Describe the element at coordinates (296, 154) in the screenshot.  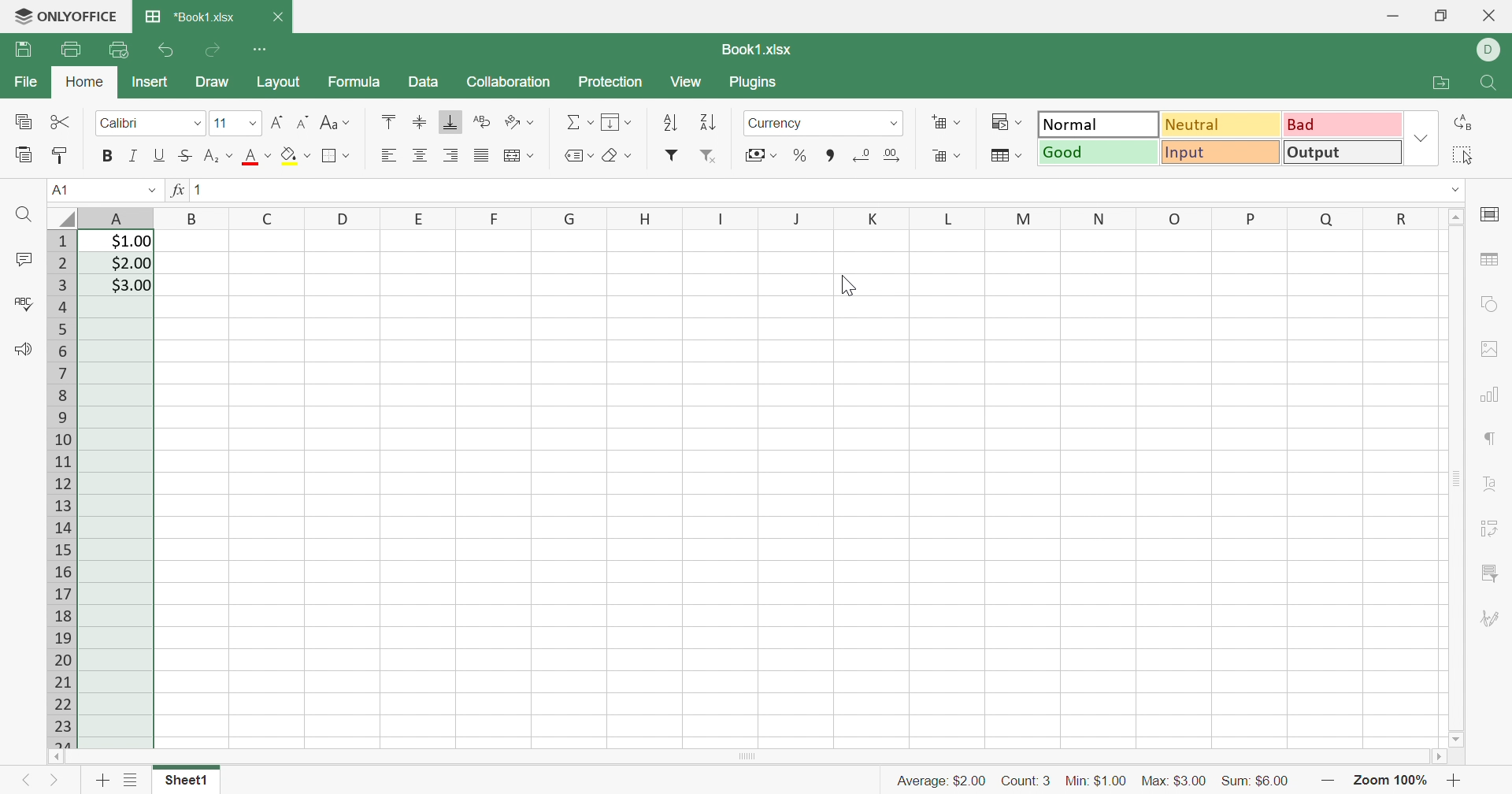
I see `Fill color` at that location.